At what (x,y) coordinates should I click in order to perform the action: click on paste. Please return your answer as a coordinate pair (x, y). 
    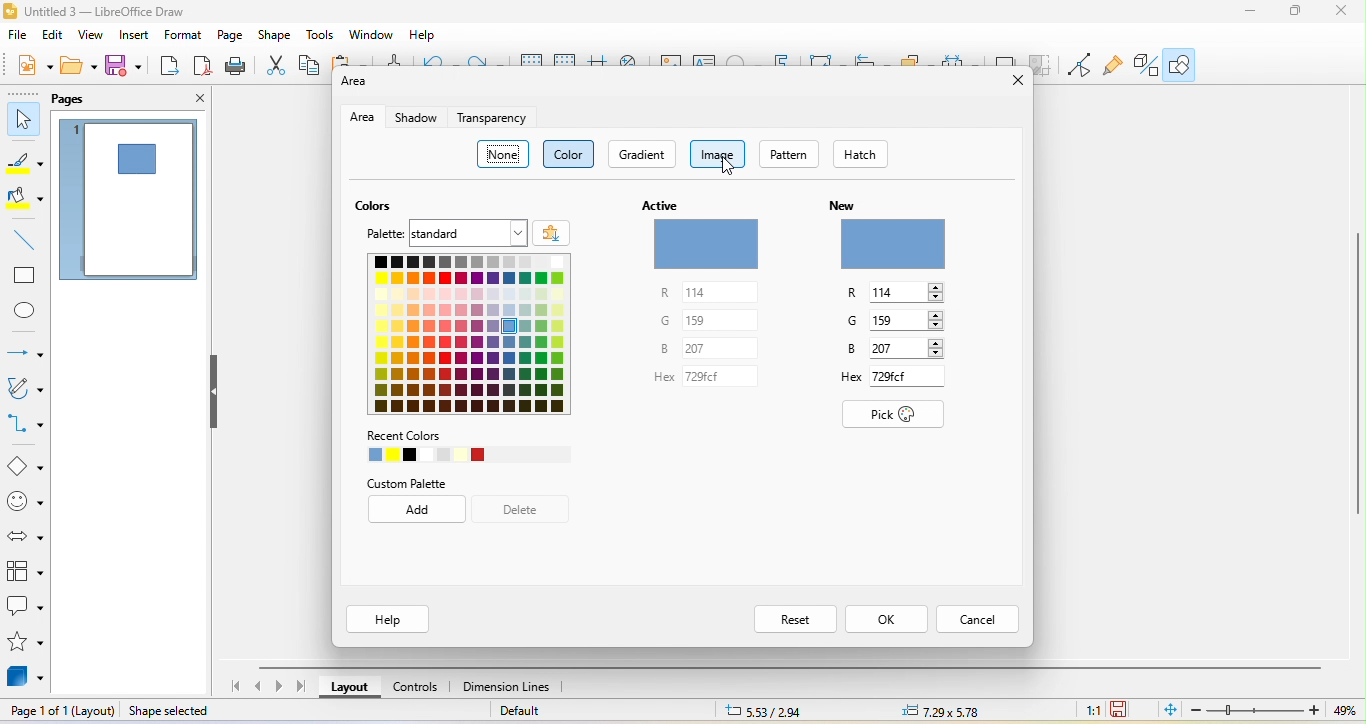
    Looking at the image, I should click on (353, 62).